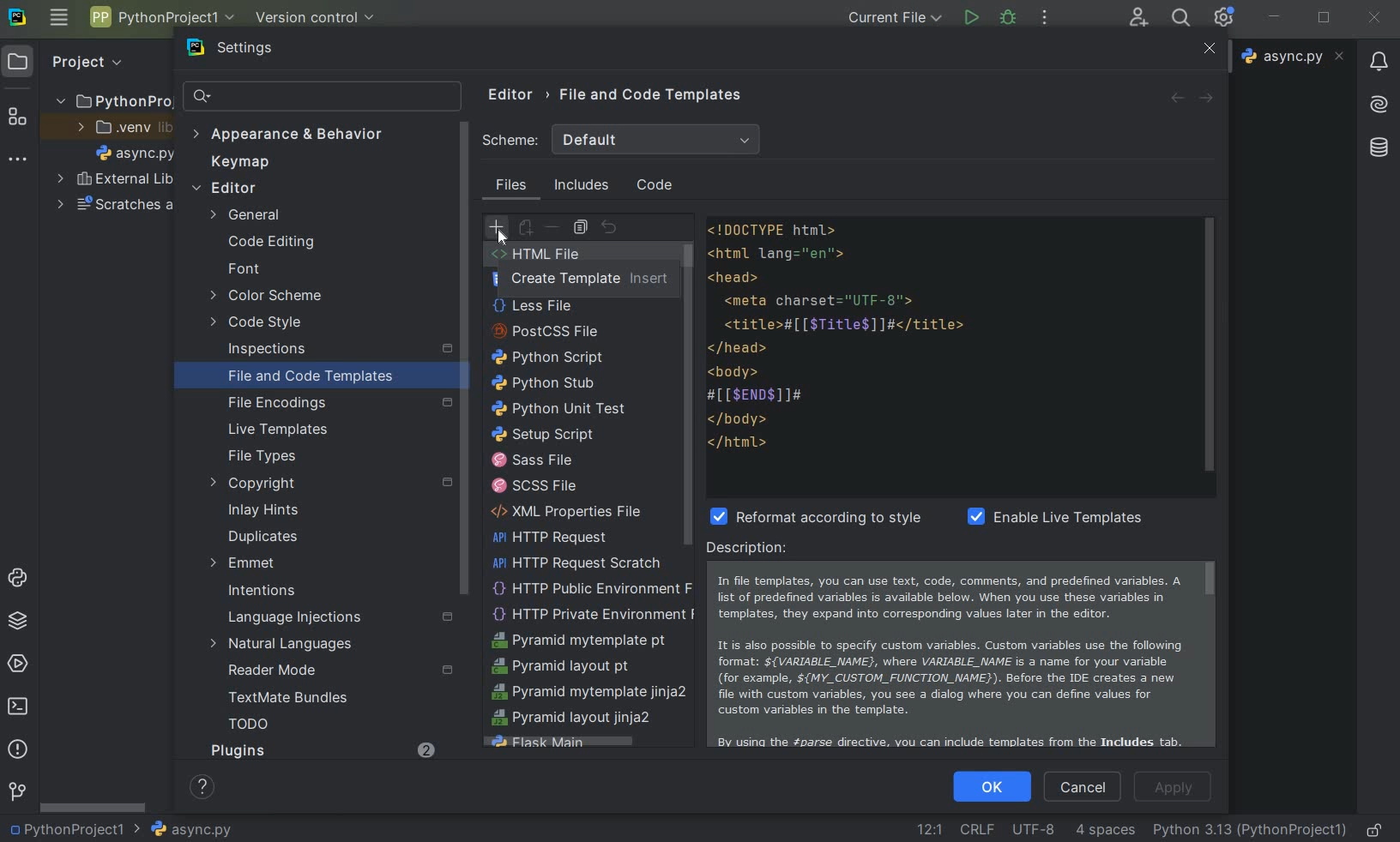 Image resolution: width=1400 pixels, height=842 pixels. Describe the element at coordinates (1035, 829) in the screenshot. I see `File Encoding` at that location.